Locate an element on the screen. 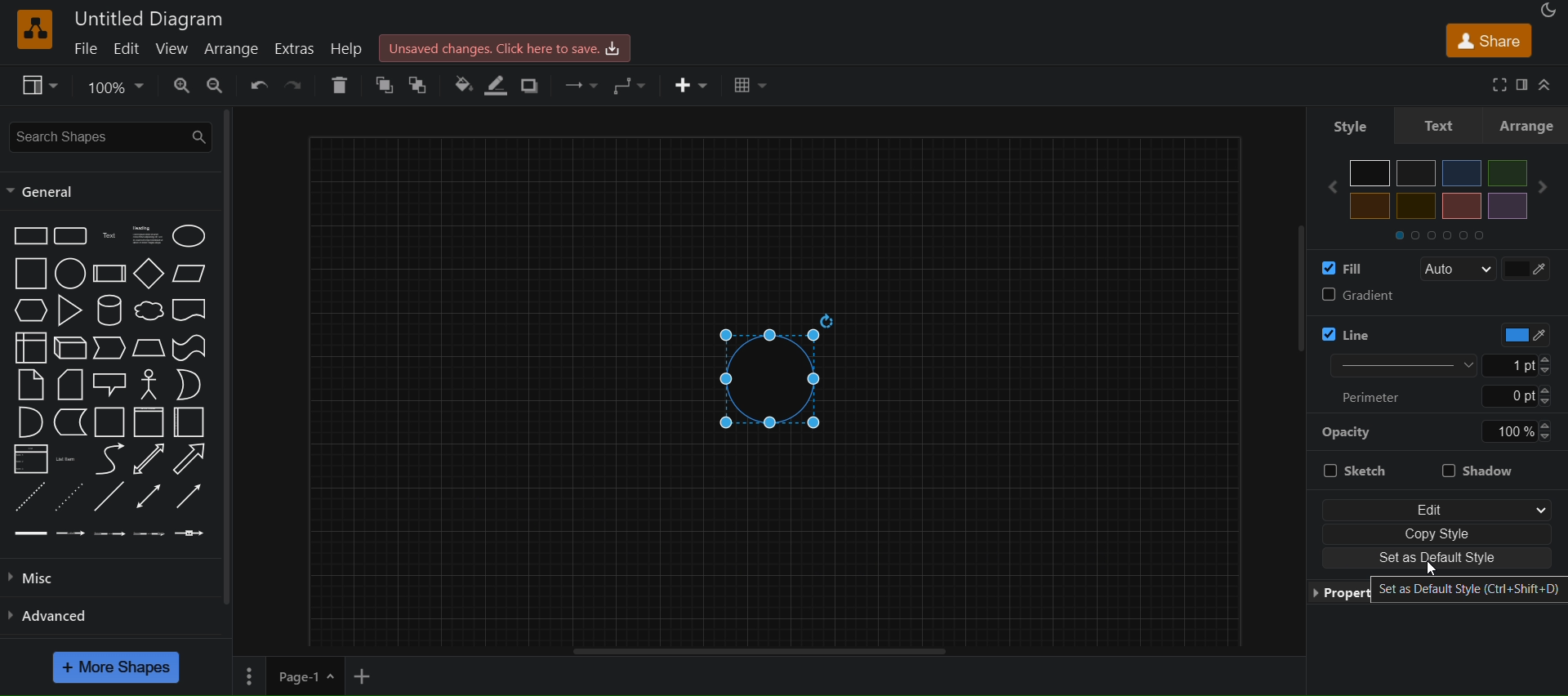 The width and height of the screenshot is (1568, 696). internal storage is located at coordinates (29, 346).